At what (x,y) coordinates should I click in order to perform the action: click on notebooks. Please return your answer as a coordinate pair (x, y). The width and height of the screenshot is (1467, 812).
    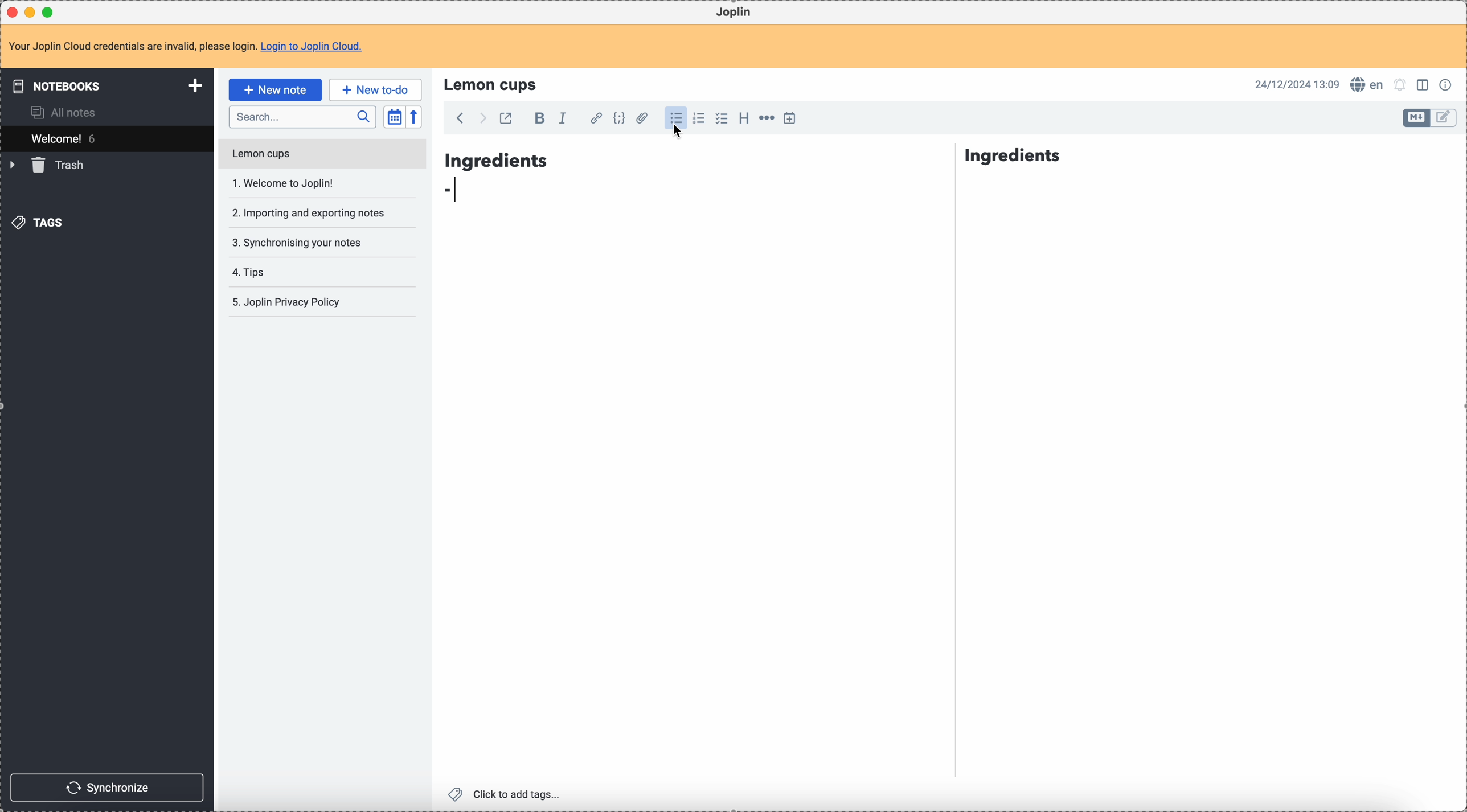
    Looking at the image, I should click on (109, 85).